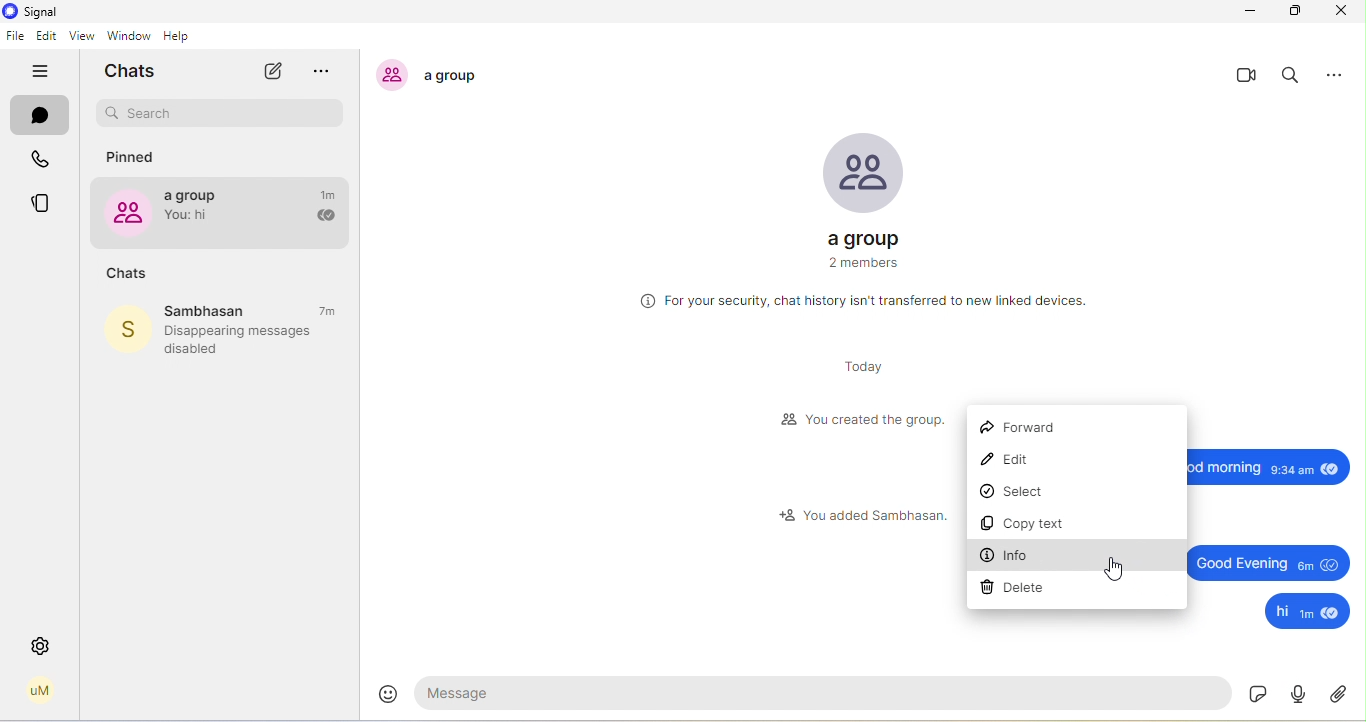  I want to click on video call, so click(1246, 76).